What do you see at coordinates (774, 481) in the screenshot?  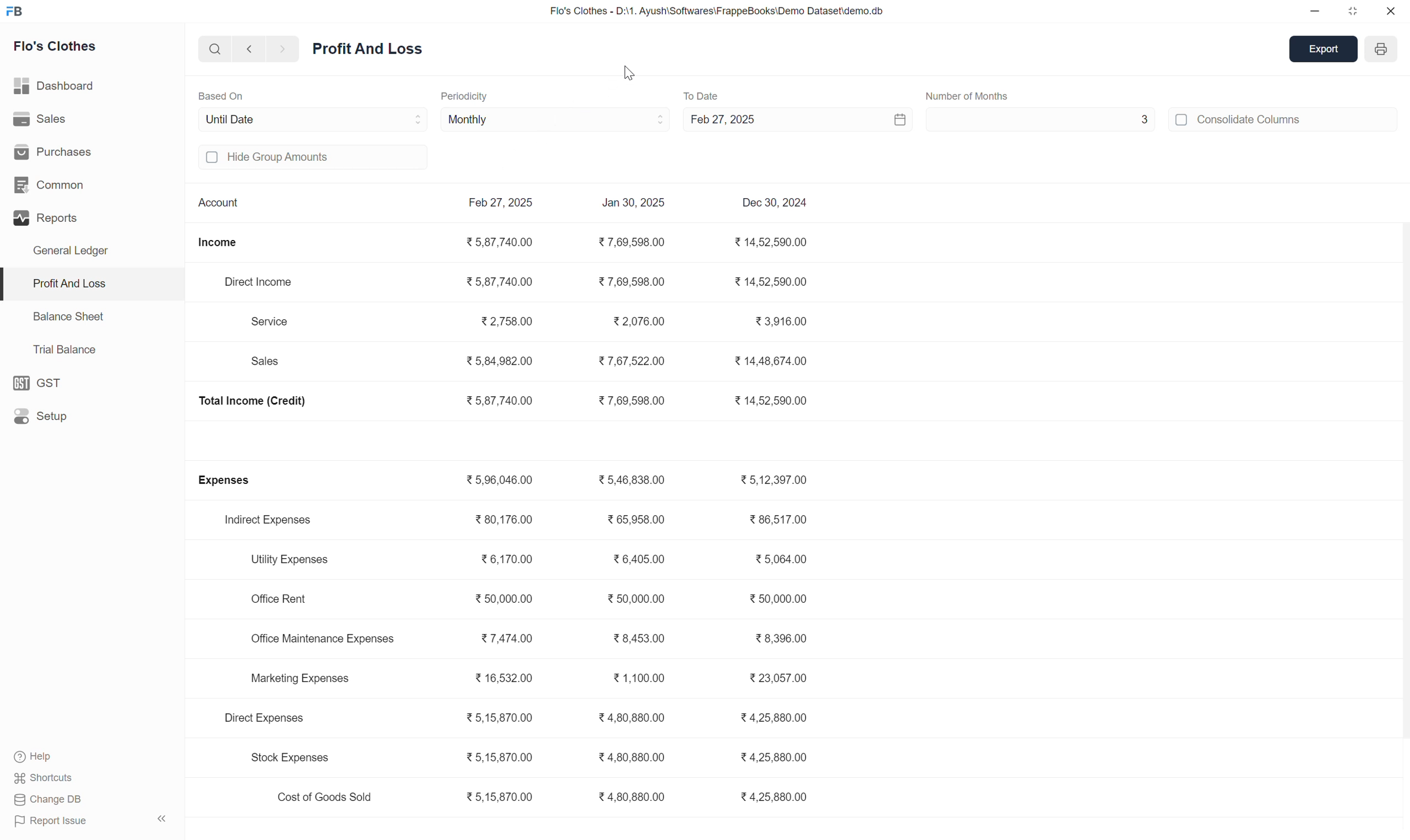 I see `₹5,12,397.00` at bounding box center [774, 481].